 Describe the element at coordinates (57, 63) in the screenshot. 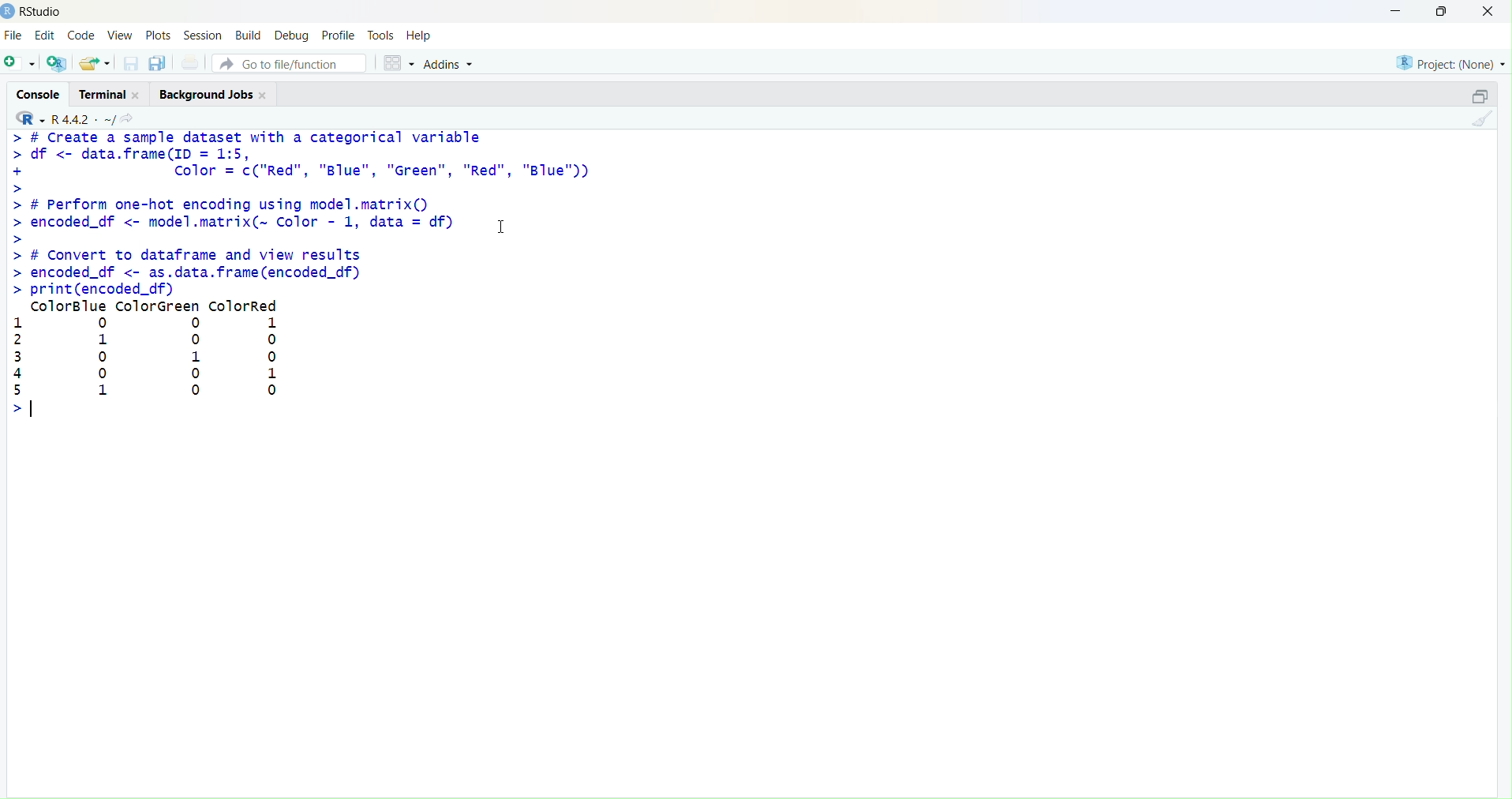

I see `add R file` at that location.